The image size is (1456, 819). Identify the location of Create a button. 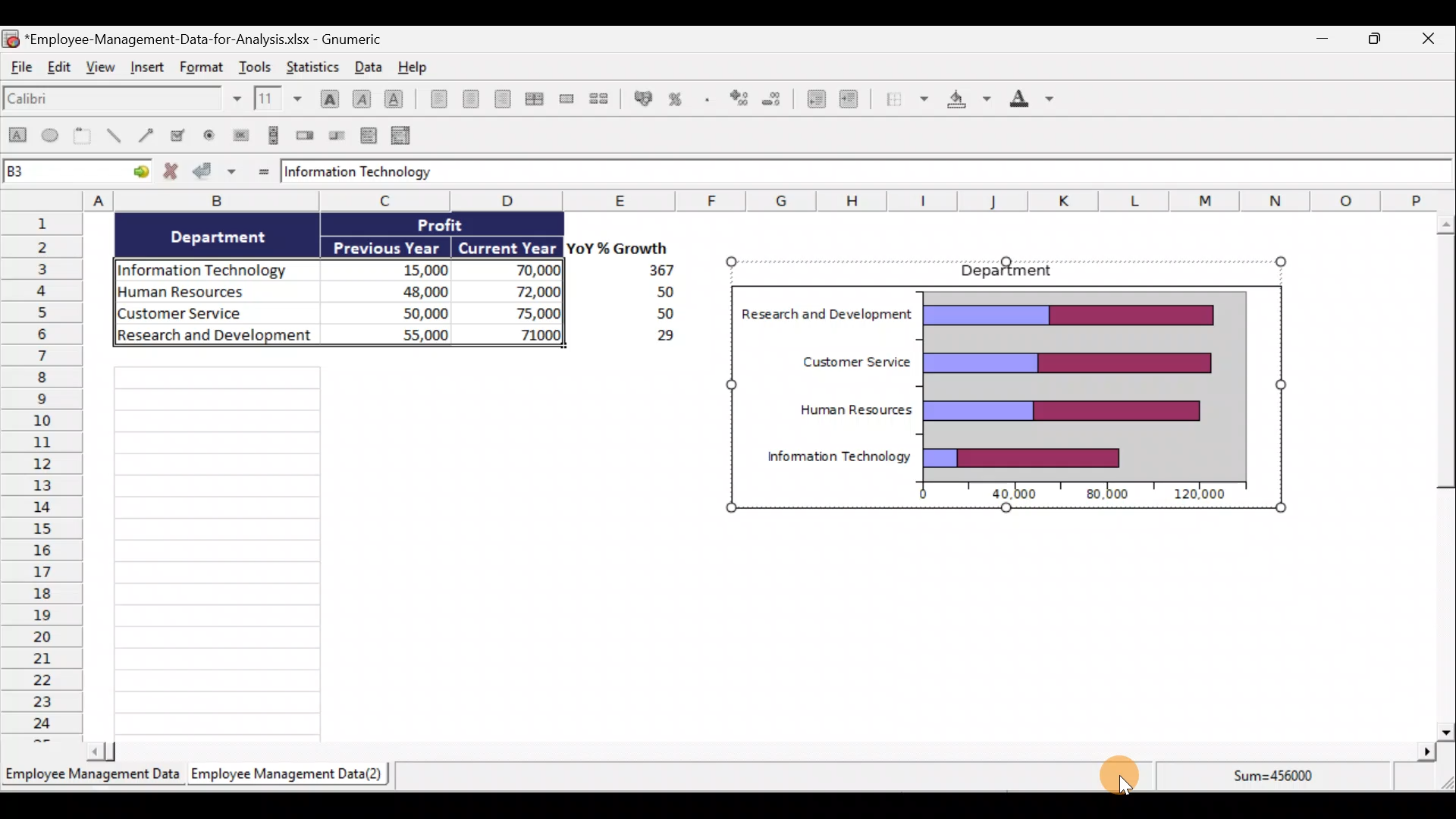
(240, 133).